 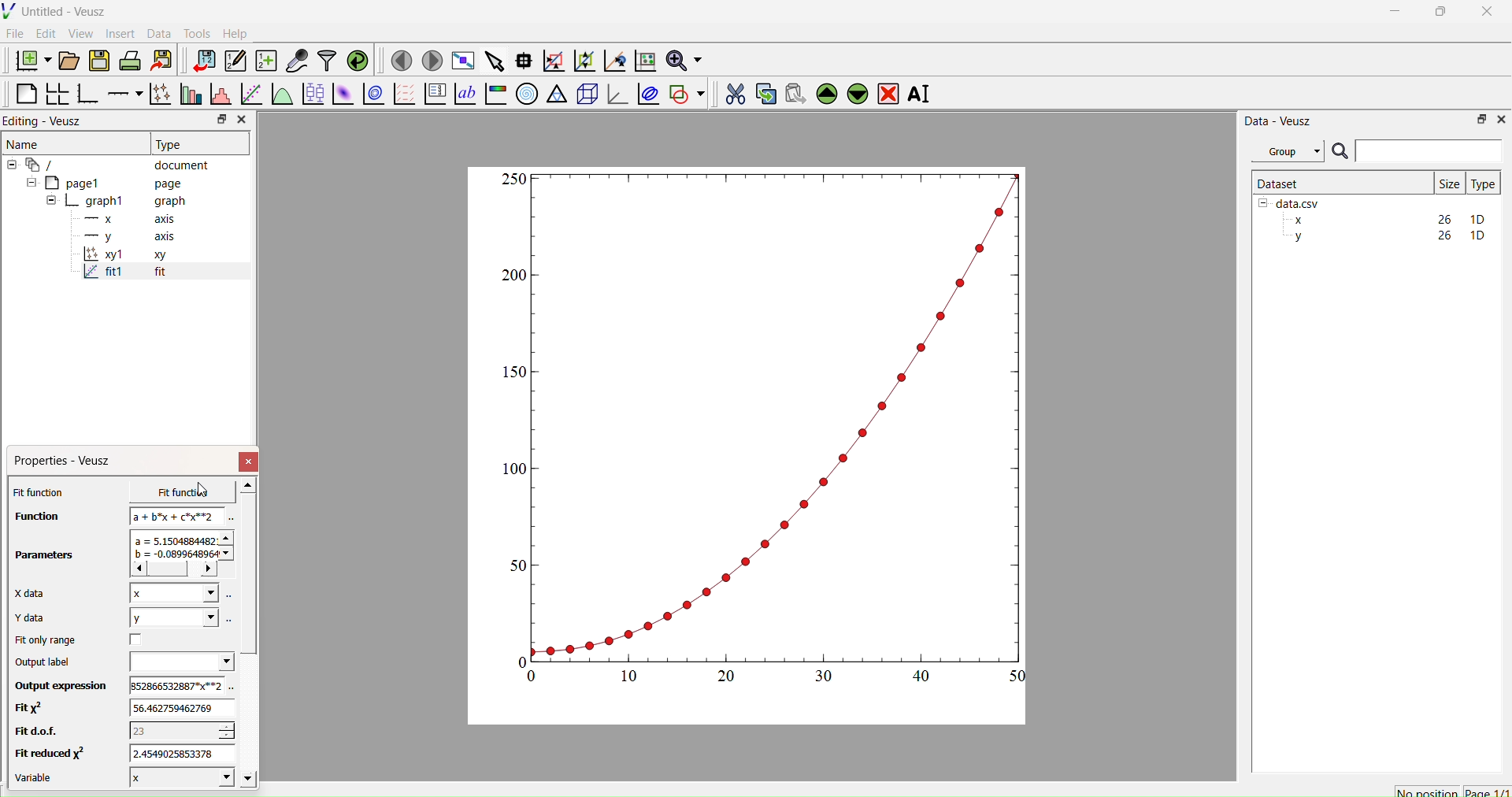 What do you see at coordinates (165, 492) in the screenshot?
I see `x` at bounding box center [165, 492].